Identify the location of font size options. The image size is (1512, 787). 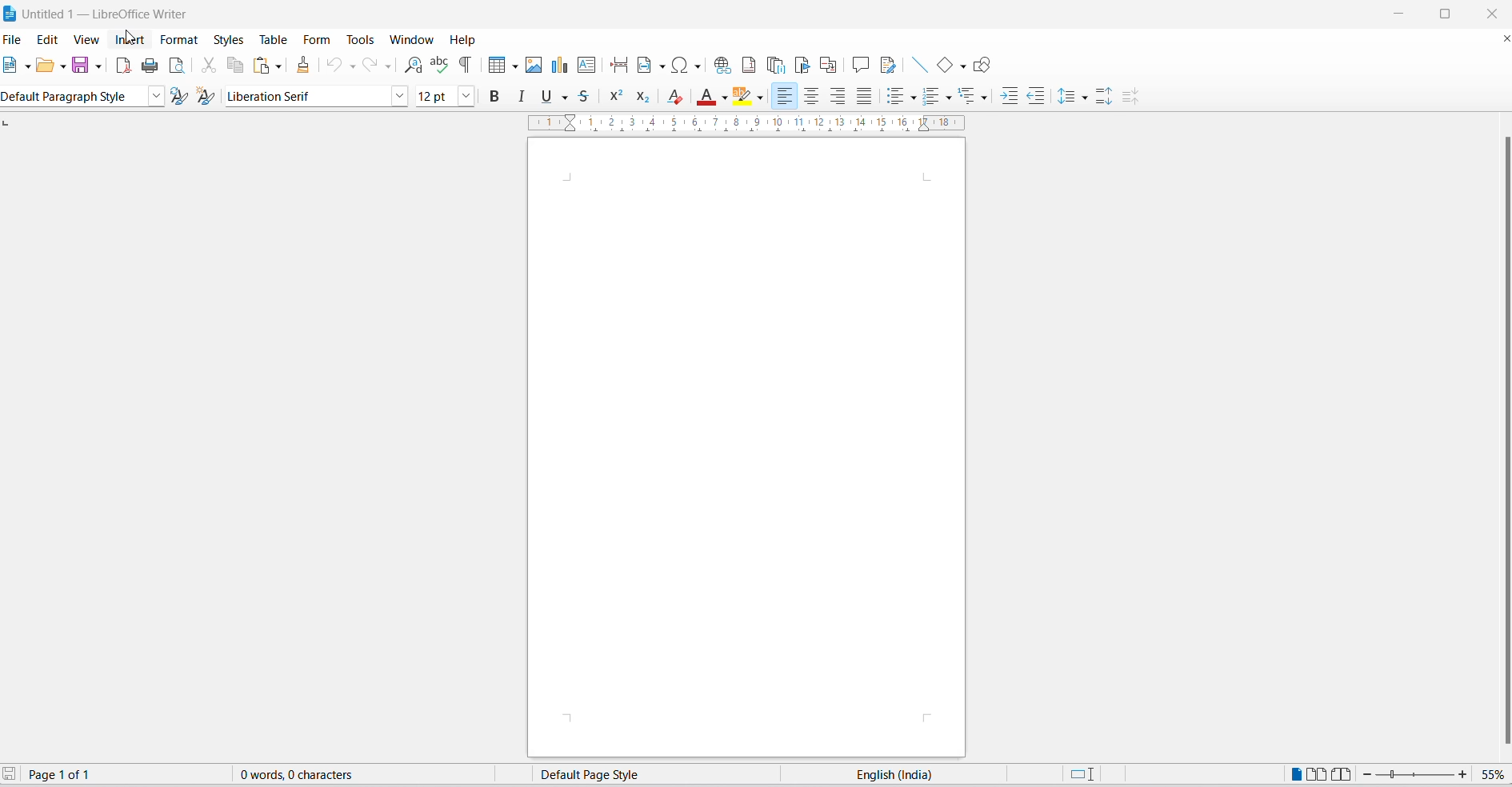
(466, 95).